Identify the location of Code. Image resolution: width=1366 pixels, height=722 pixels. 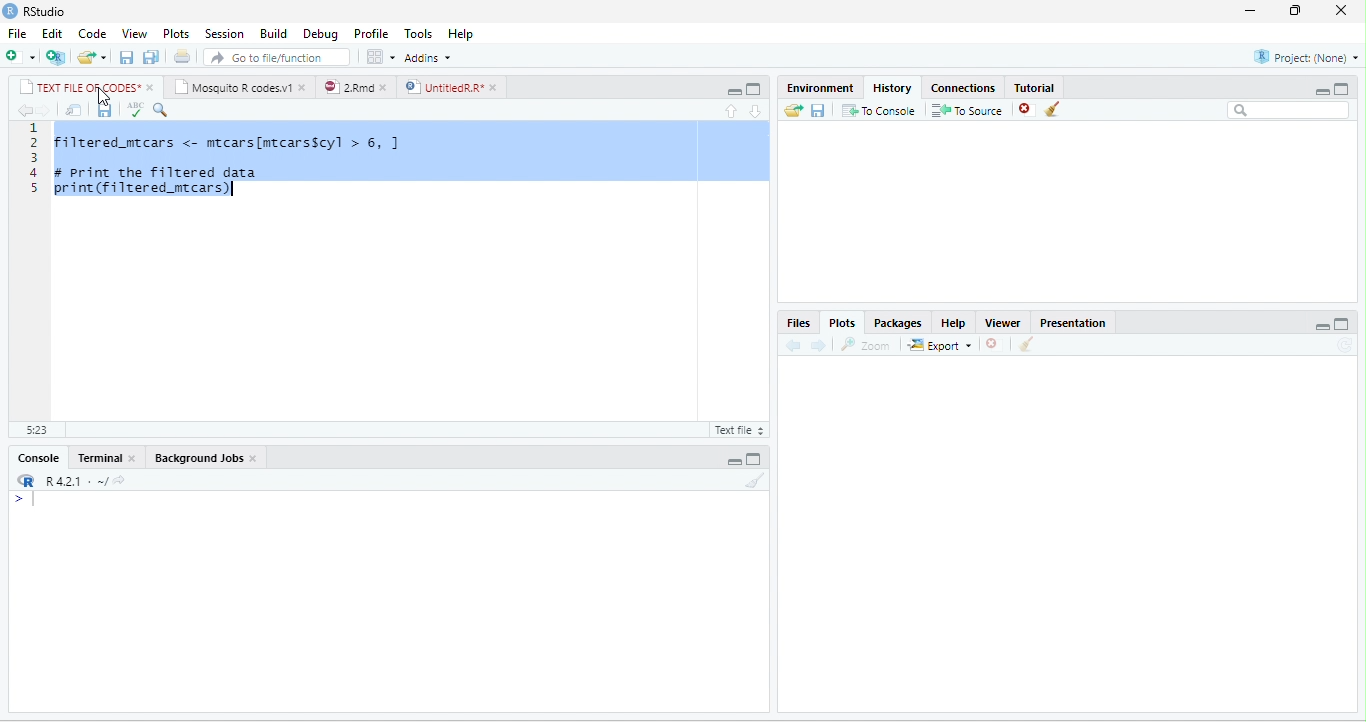
(93, 33).